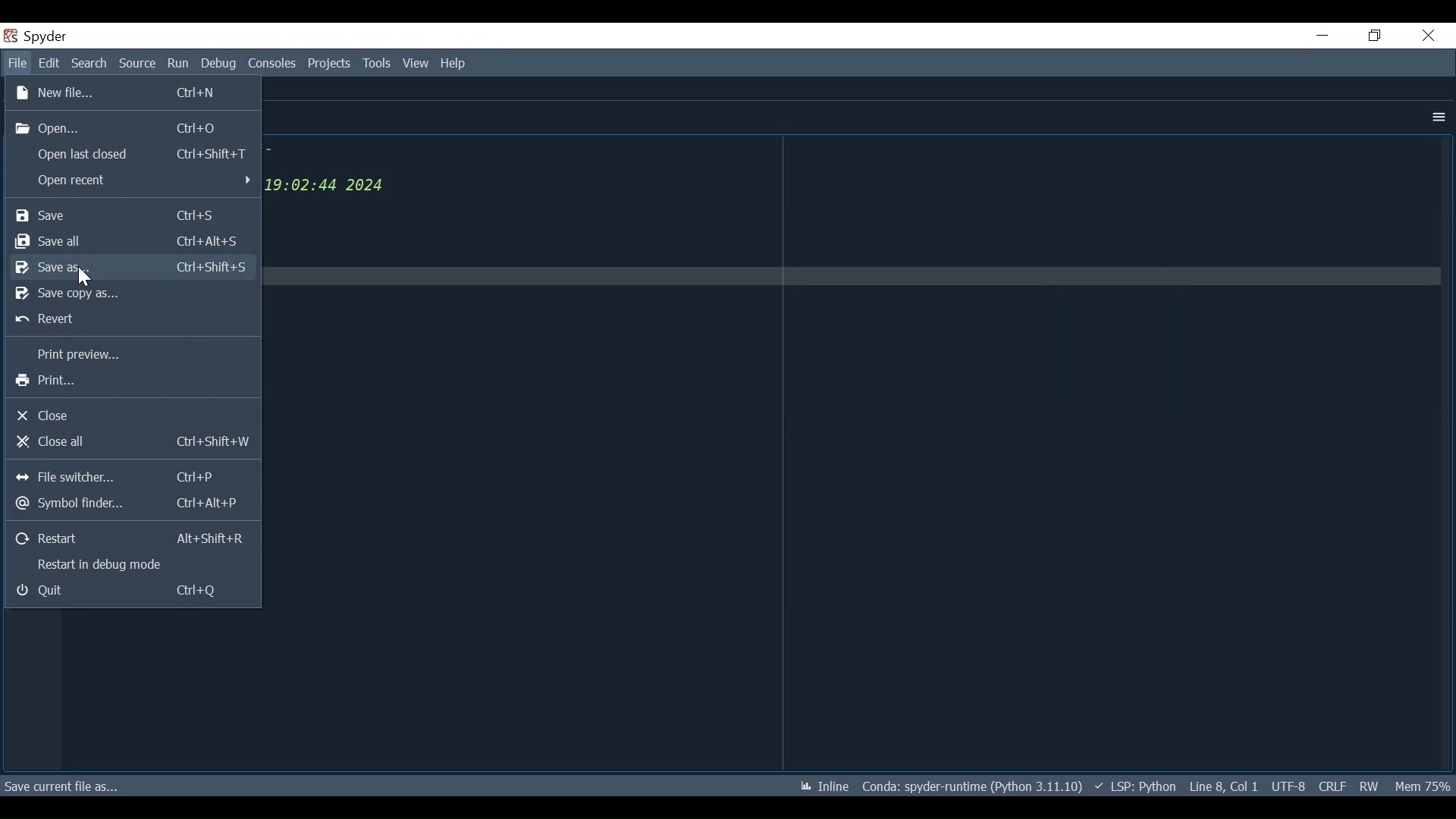  What do you see at coordinates (416, 64) in the screenshot?
I see `View` at bounding box center [416, 64].